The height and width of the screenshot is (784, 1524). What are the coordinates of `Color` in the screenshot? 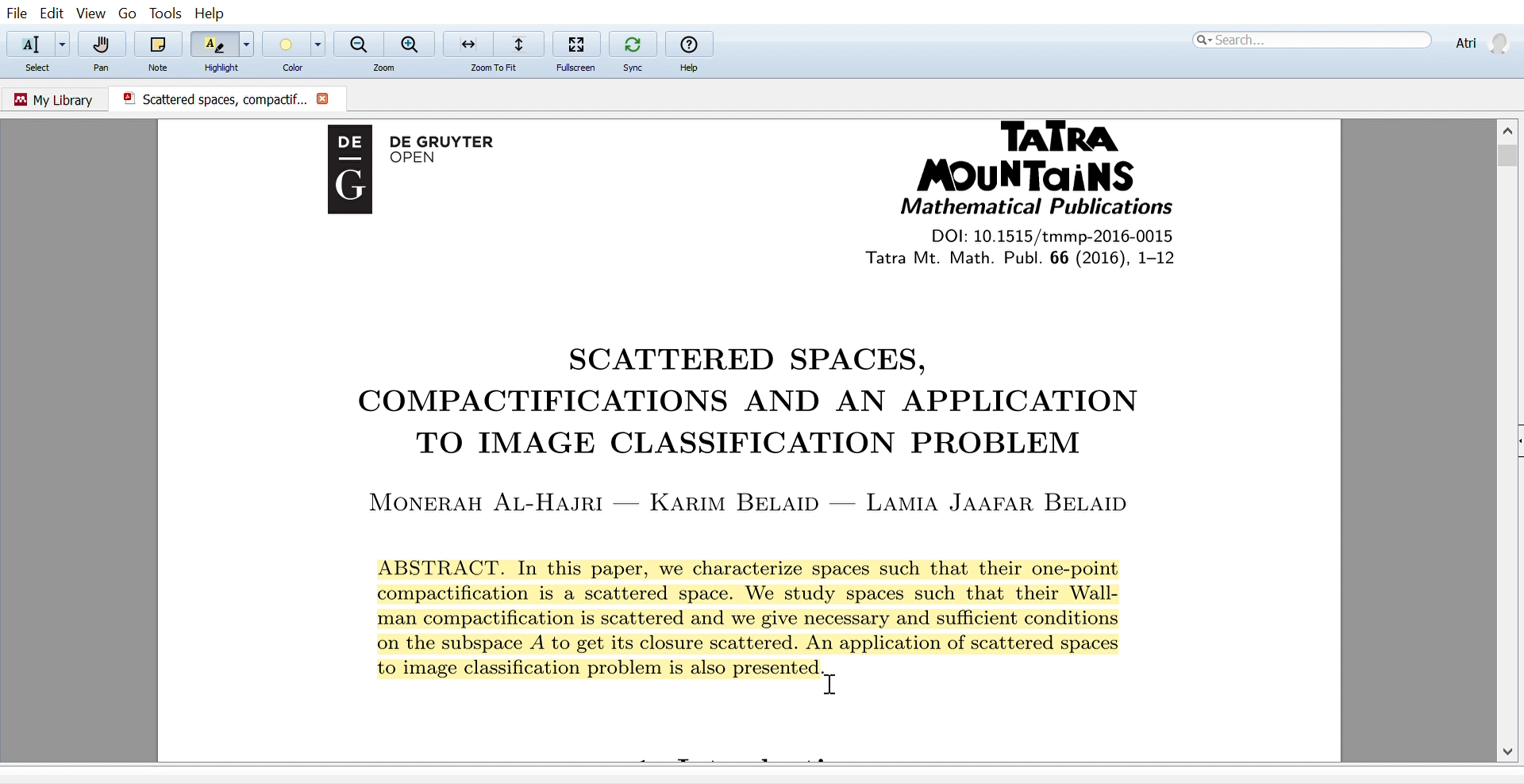 It's located at (284, 44).